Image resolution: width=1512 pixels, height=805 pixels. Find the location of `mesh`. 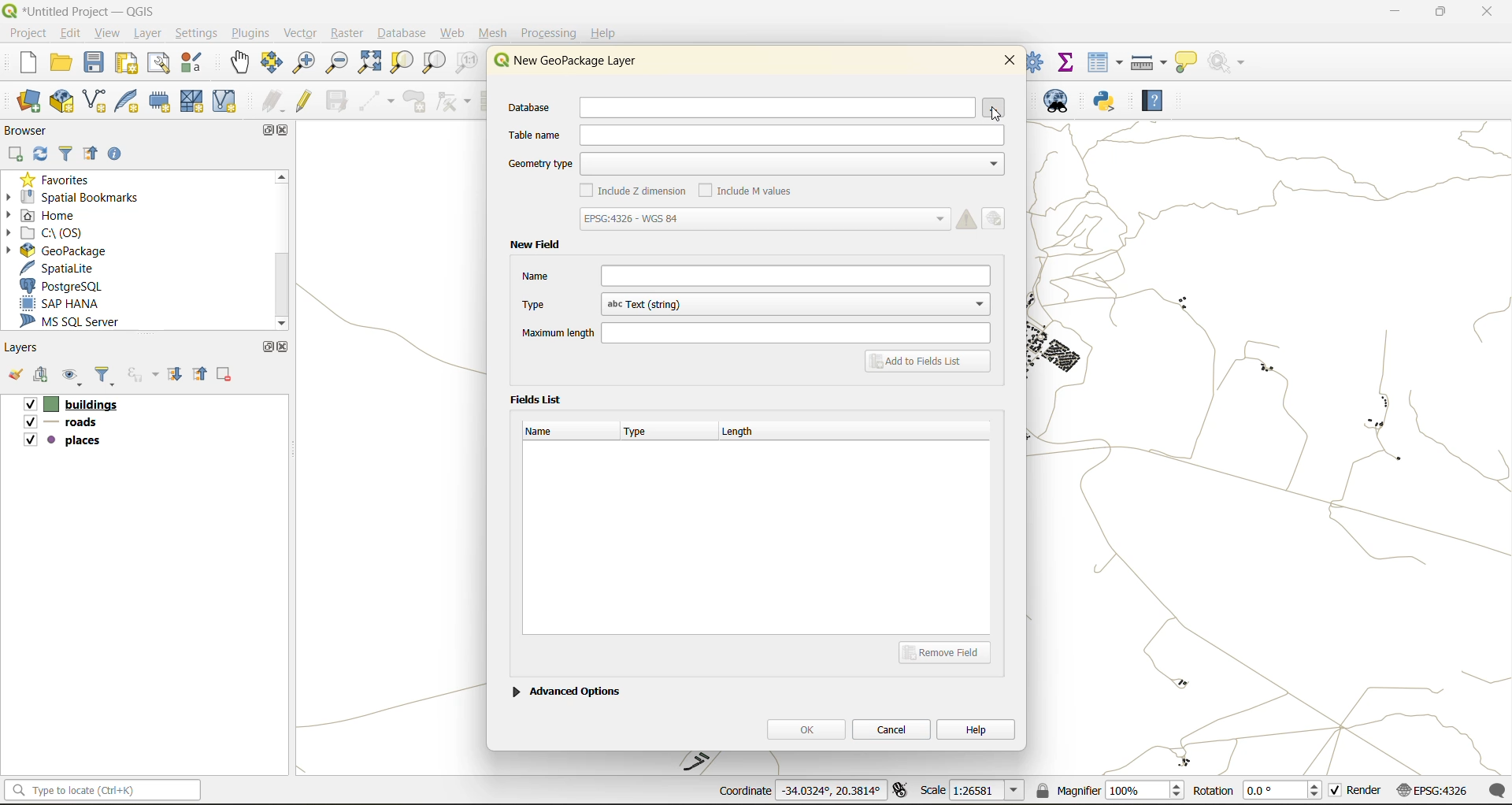

mesh is located at coordinates (194, 101).